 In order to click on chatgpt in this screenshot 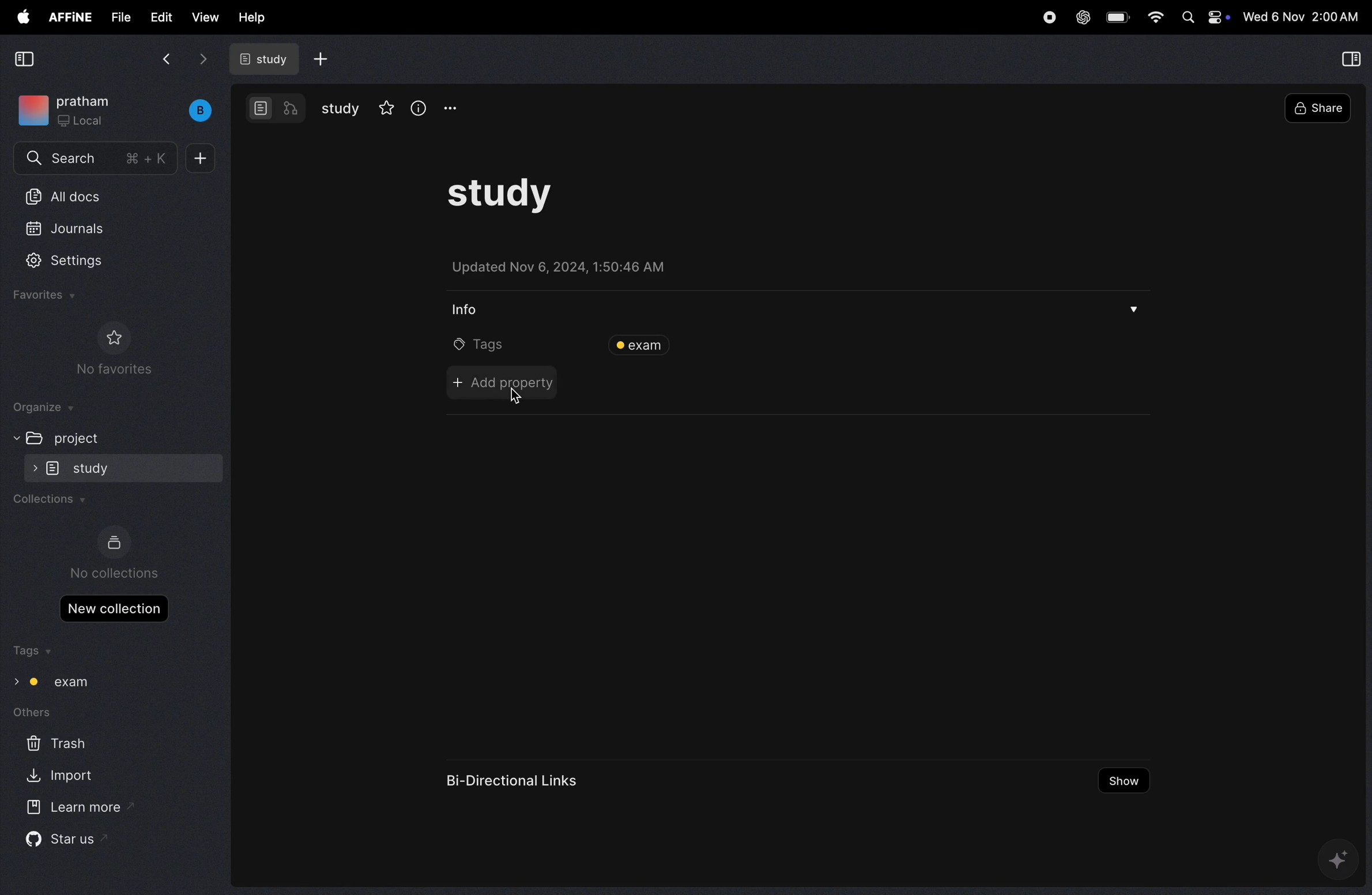, I will do `click(1080, 18)`.